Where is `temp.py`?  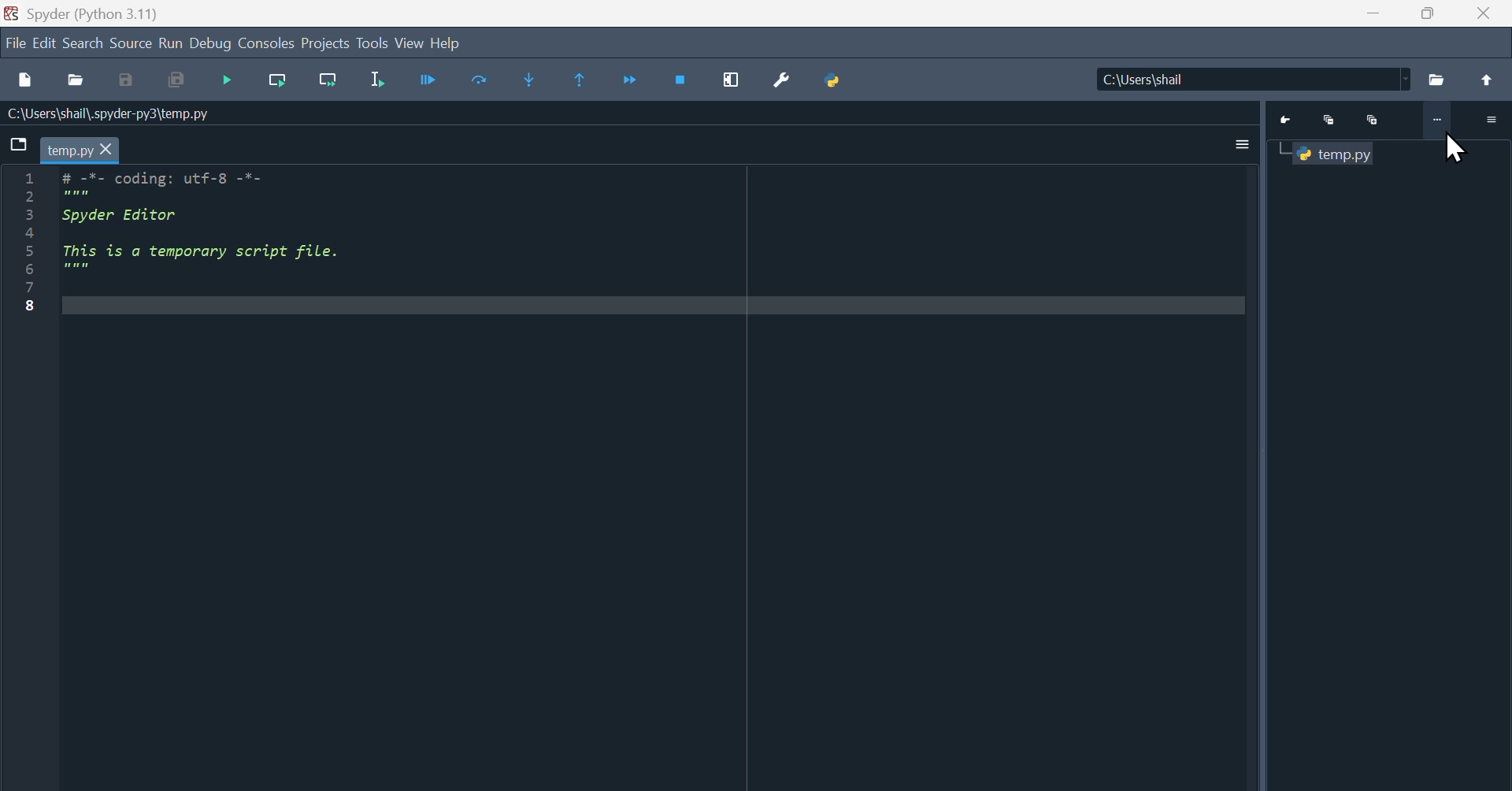
temp.py is located at coordinates (69, 151).